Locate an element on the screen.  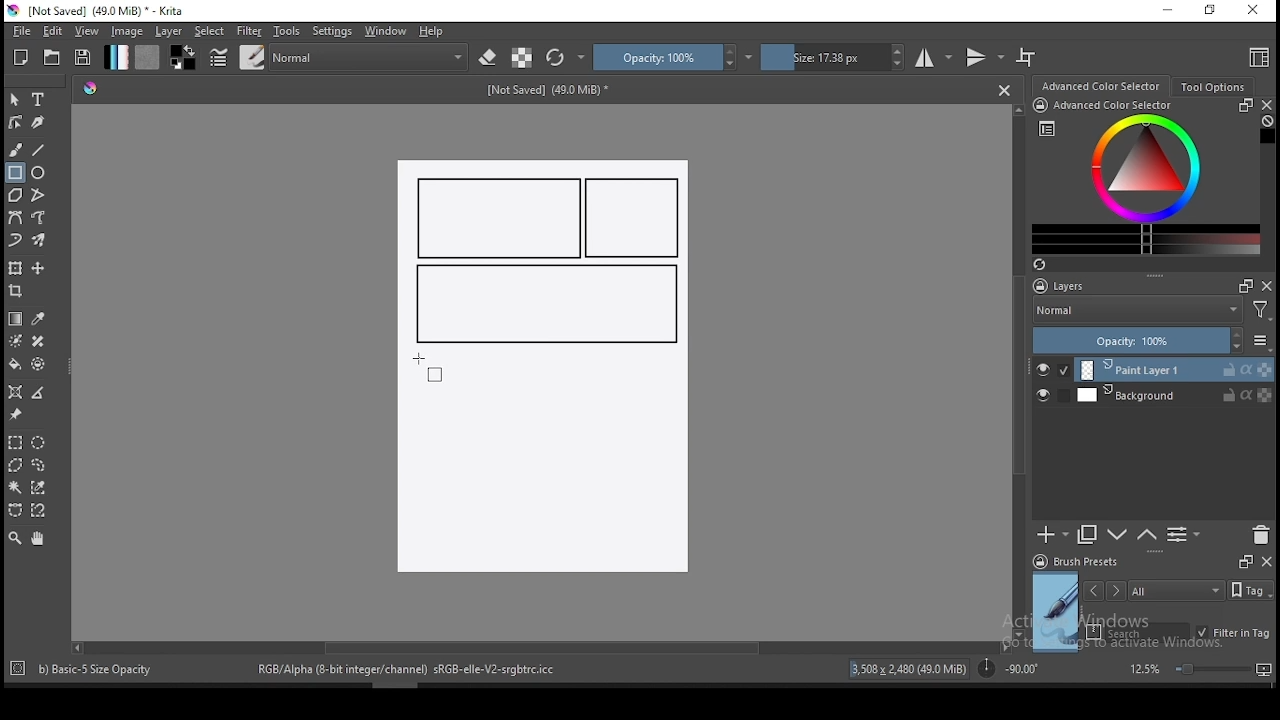
Frames is located at coordinates (1240, 285).